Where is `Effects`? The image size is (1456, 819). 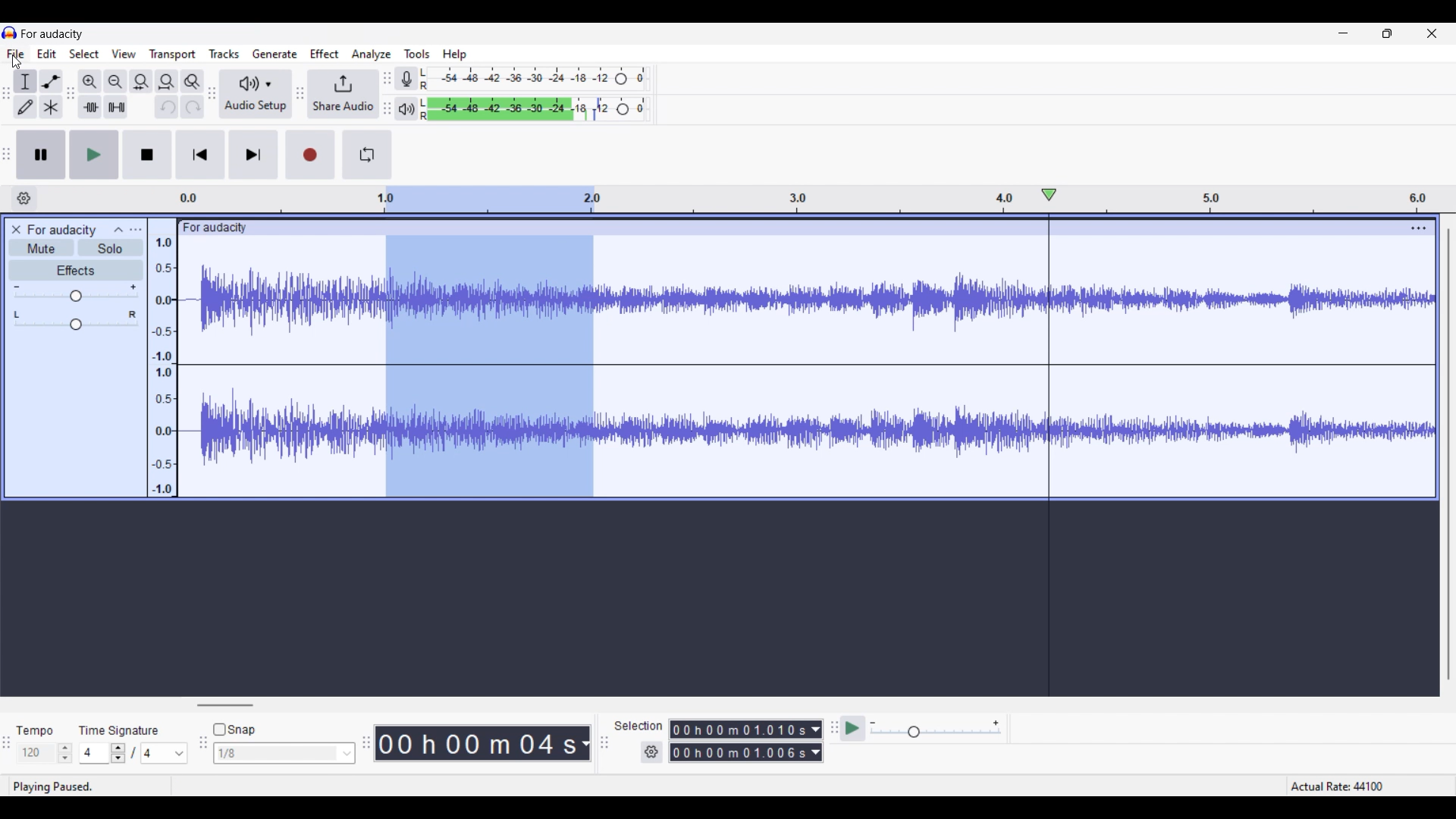
Effects is located at coordinates (75, 270).